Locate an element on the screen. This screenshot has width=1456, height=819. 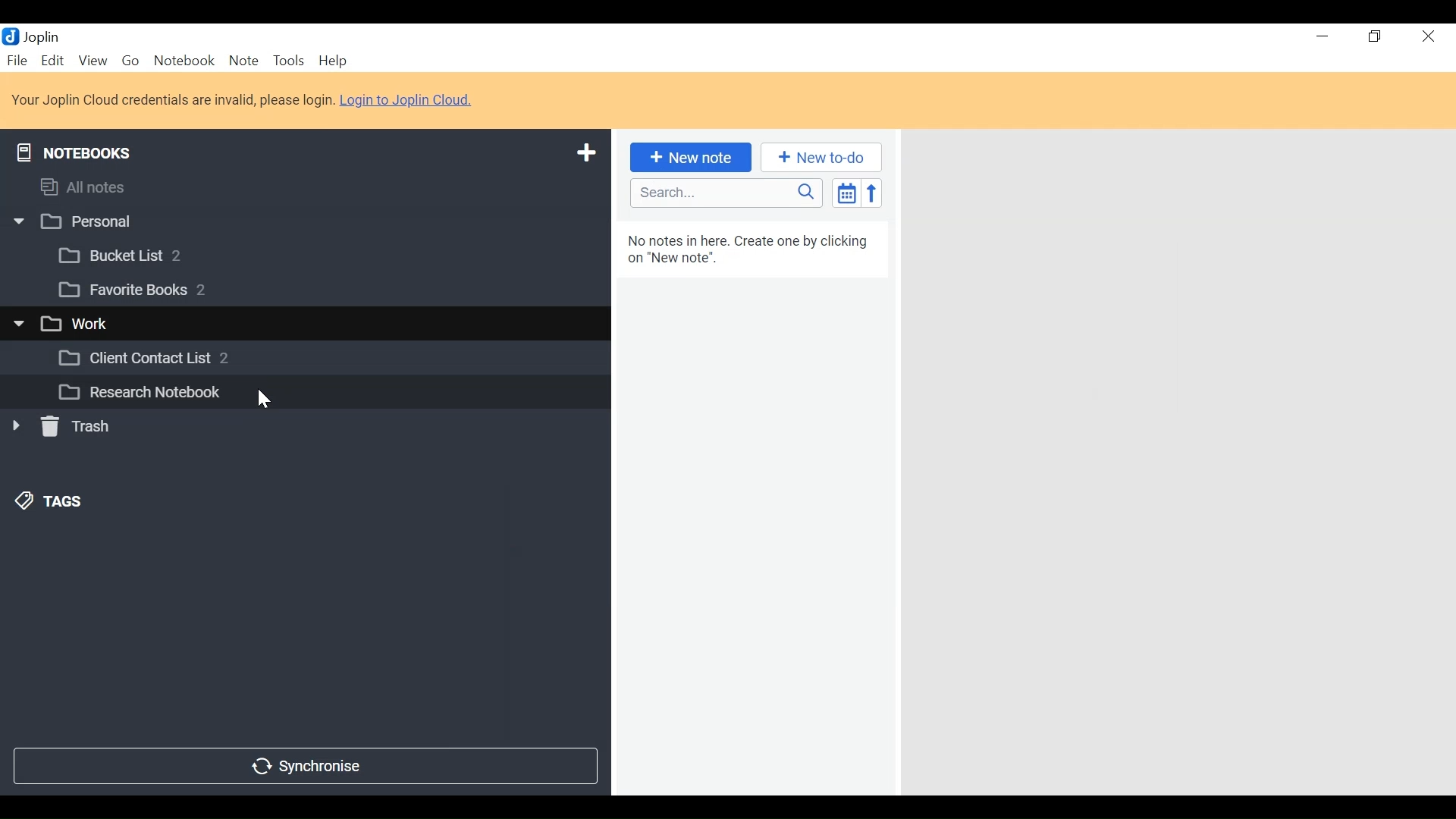
No notes in here. Create one by clicking
on "New note". is located at coordinates (757, 250).